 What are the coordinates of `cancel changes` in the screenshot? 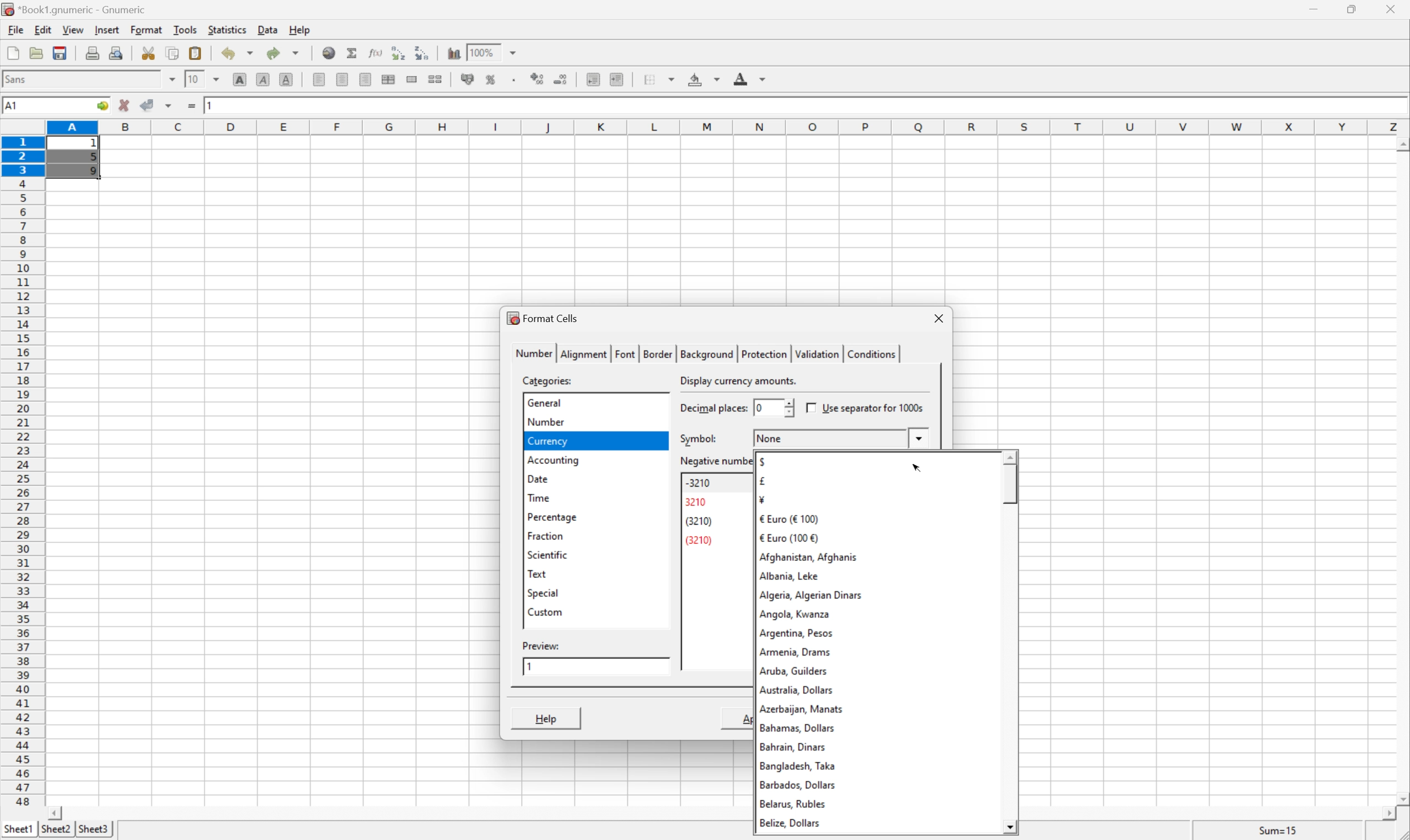 It's located at (125, 105).